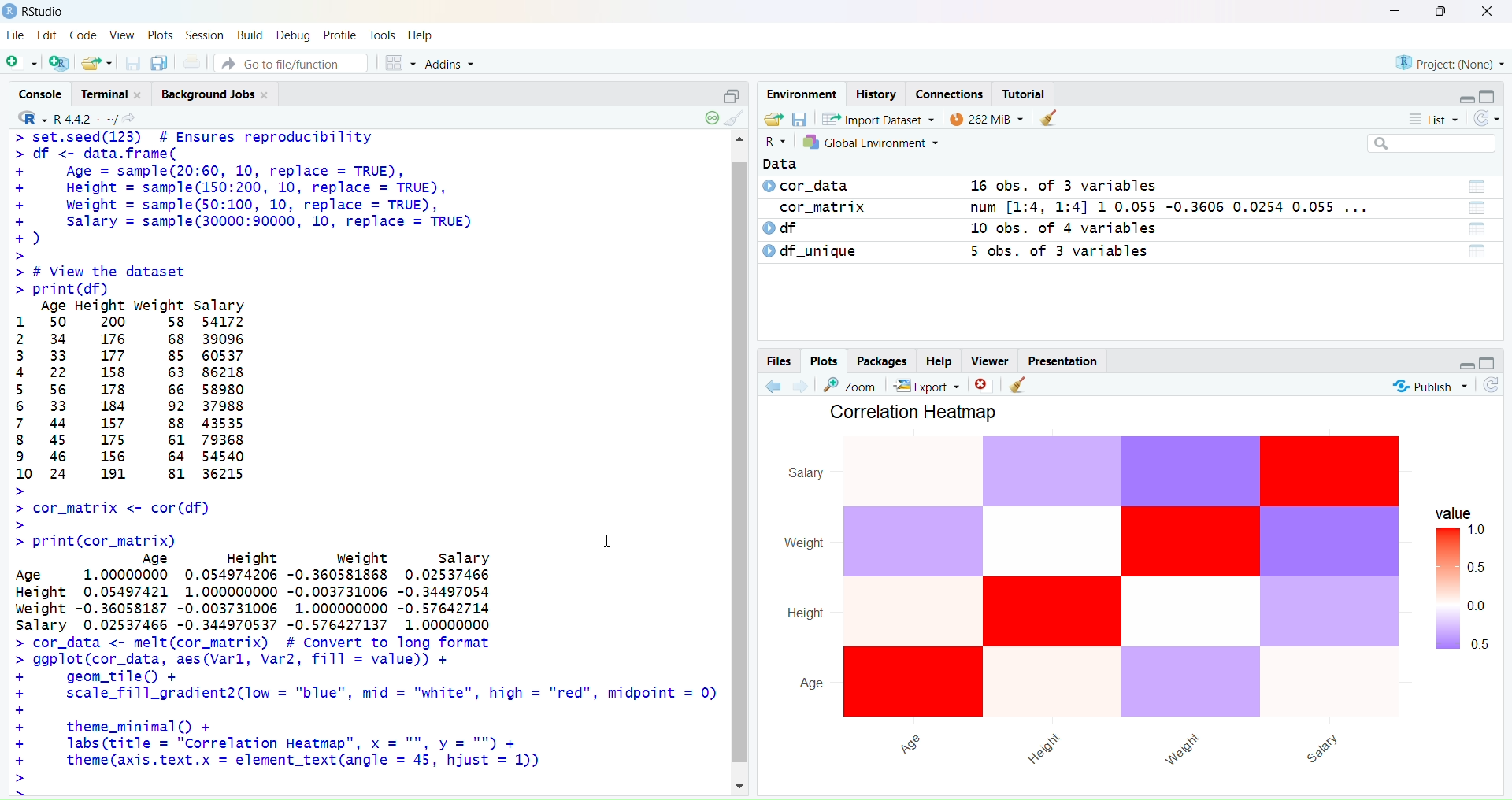 Image resolution: width=1512 pixels, height=800 pixels. I want to click on Viewer, so click(991, 360).